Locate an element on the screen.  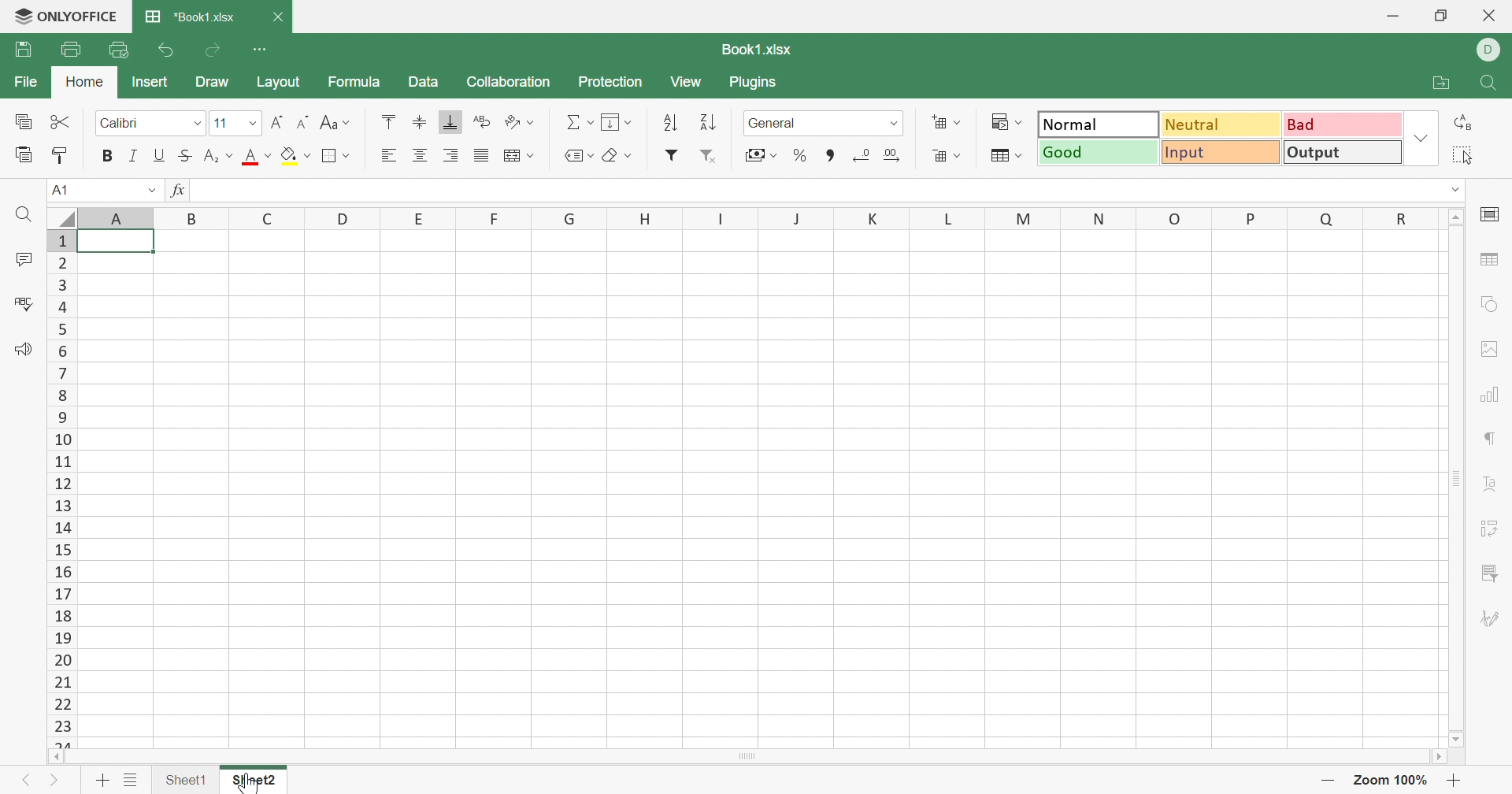
Decrease decimal is located at coordinates (862, 154).